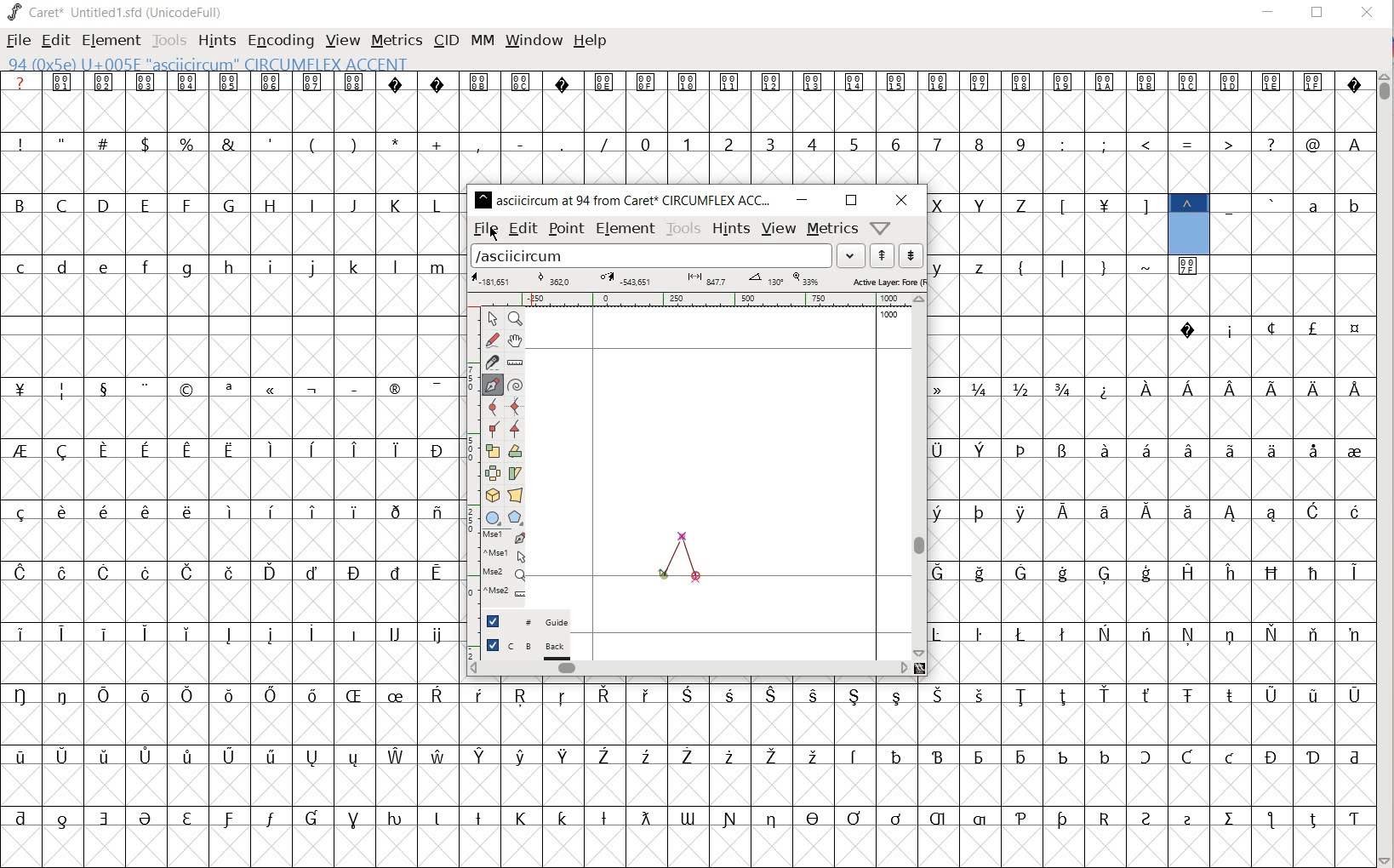  I want to click on scale the selection, so click(492, 451).